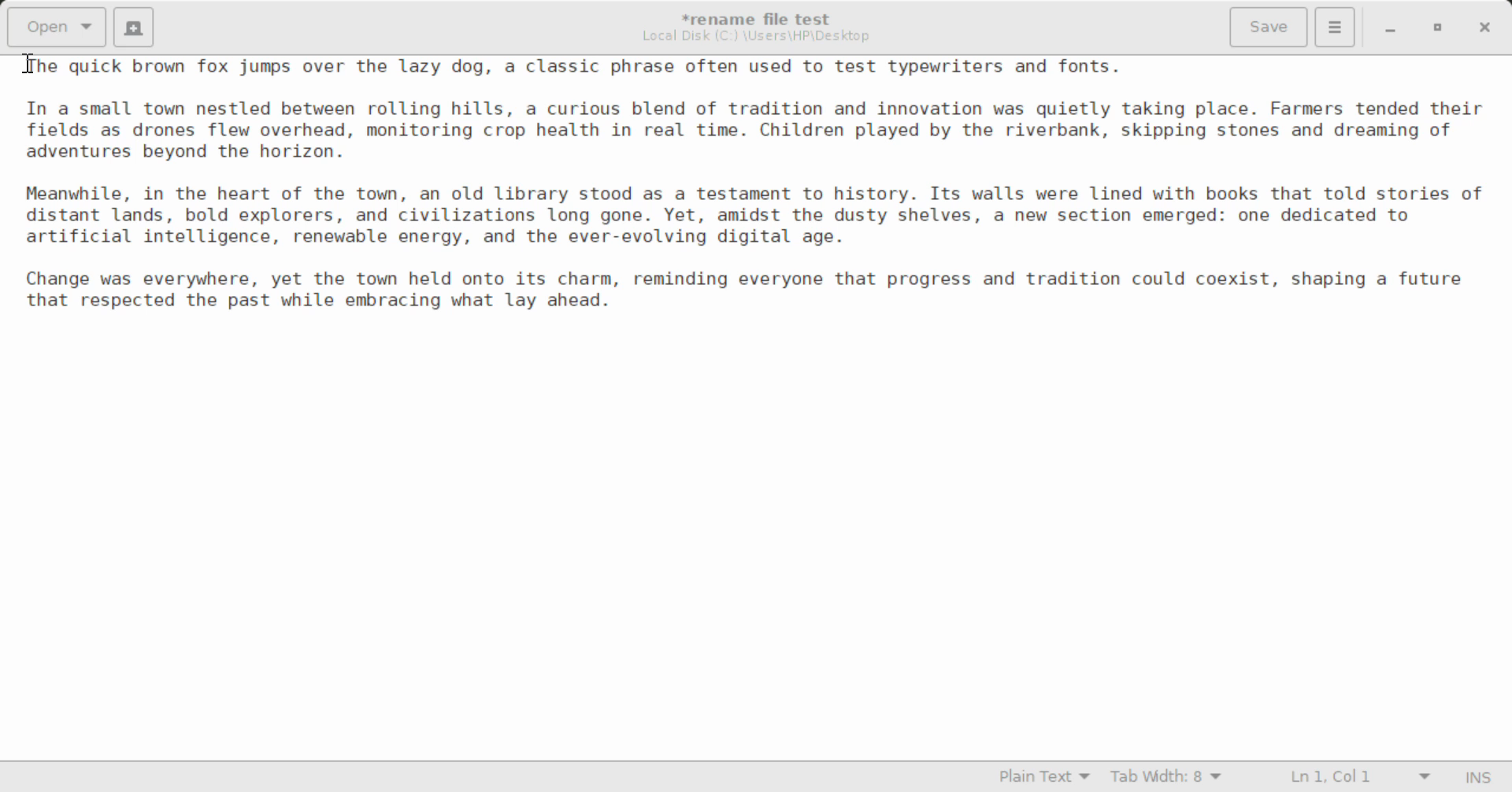 The width and height of the screenshot is (1512, 792). Describe the element at coordinates (1488, 29) in the screenshot. I see `Close Window` at that location.